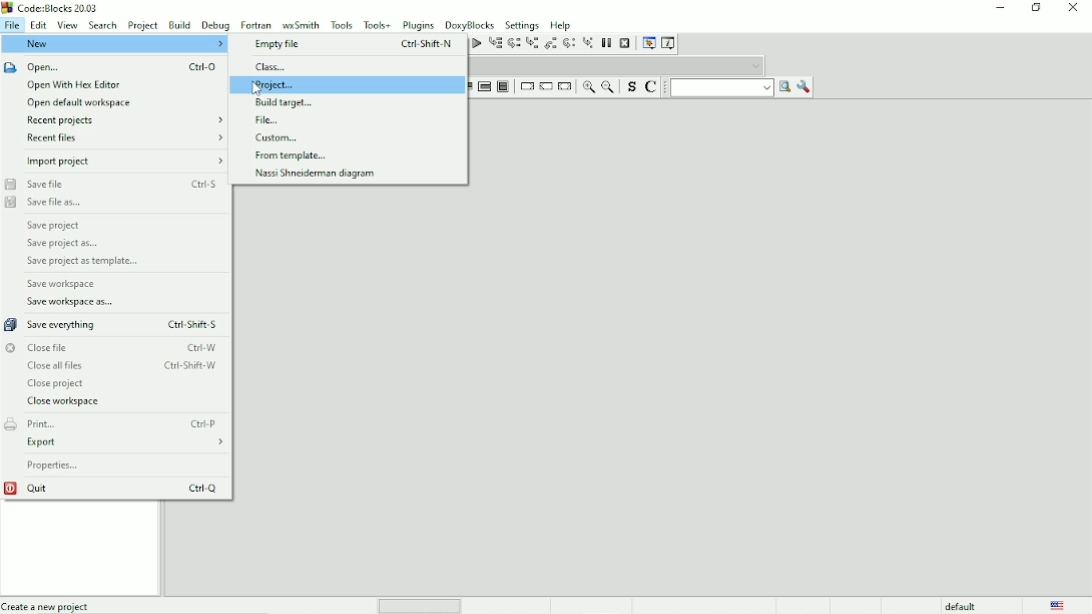 The height and width of the screenshot is (614, 1092). Describe the element at coordinates (275, 85) in the screenshot. I see `Project` at that location.